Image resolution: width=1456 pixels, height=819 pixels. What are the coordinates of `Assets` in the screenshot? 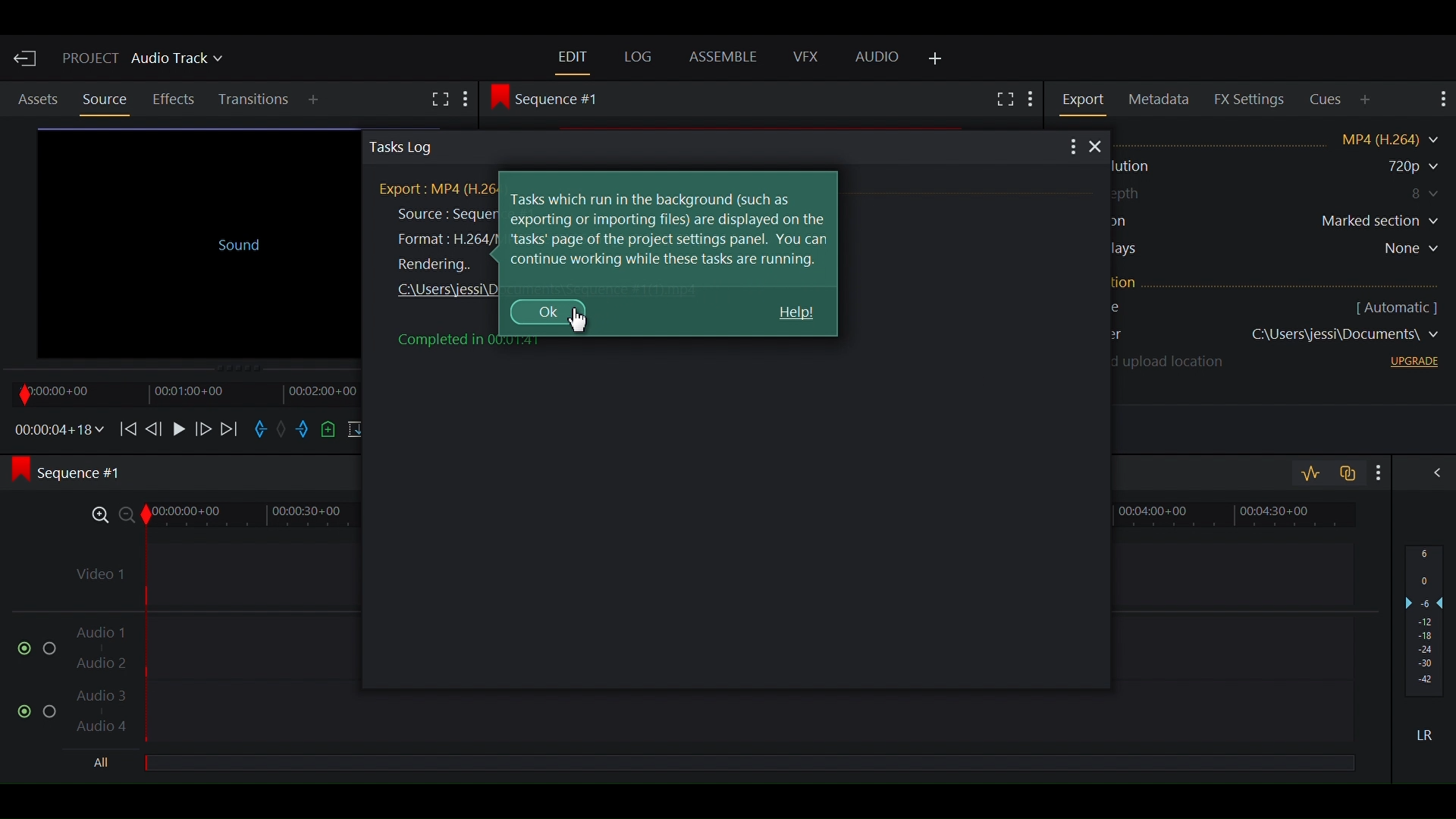 It's located at (38, 100).